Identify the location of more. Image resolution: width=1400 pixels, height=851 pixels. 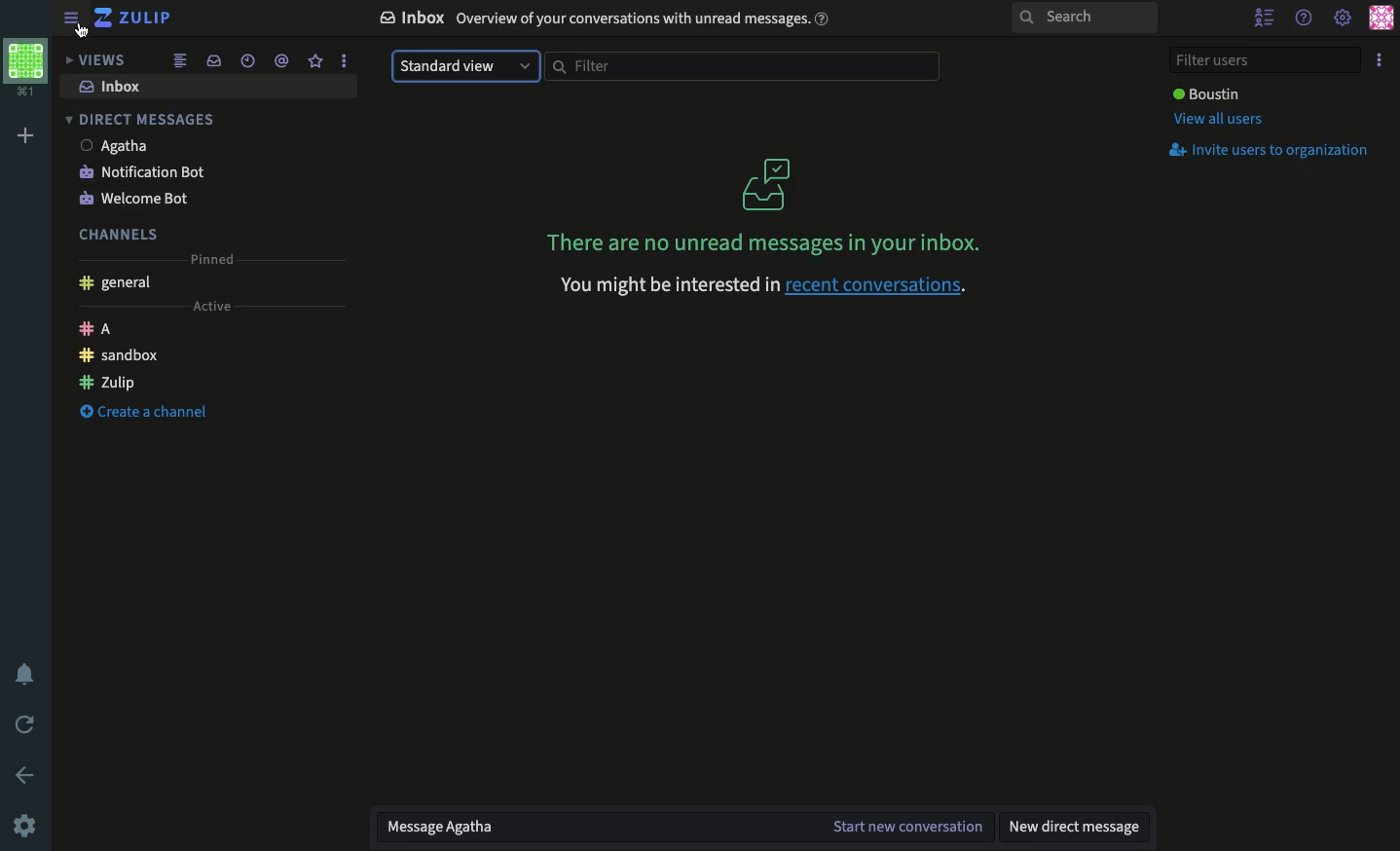
(346, 59).